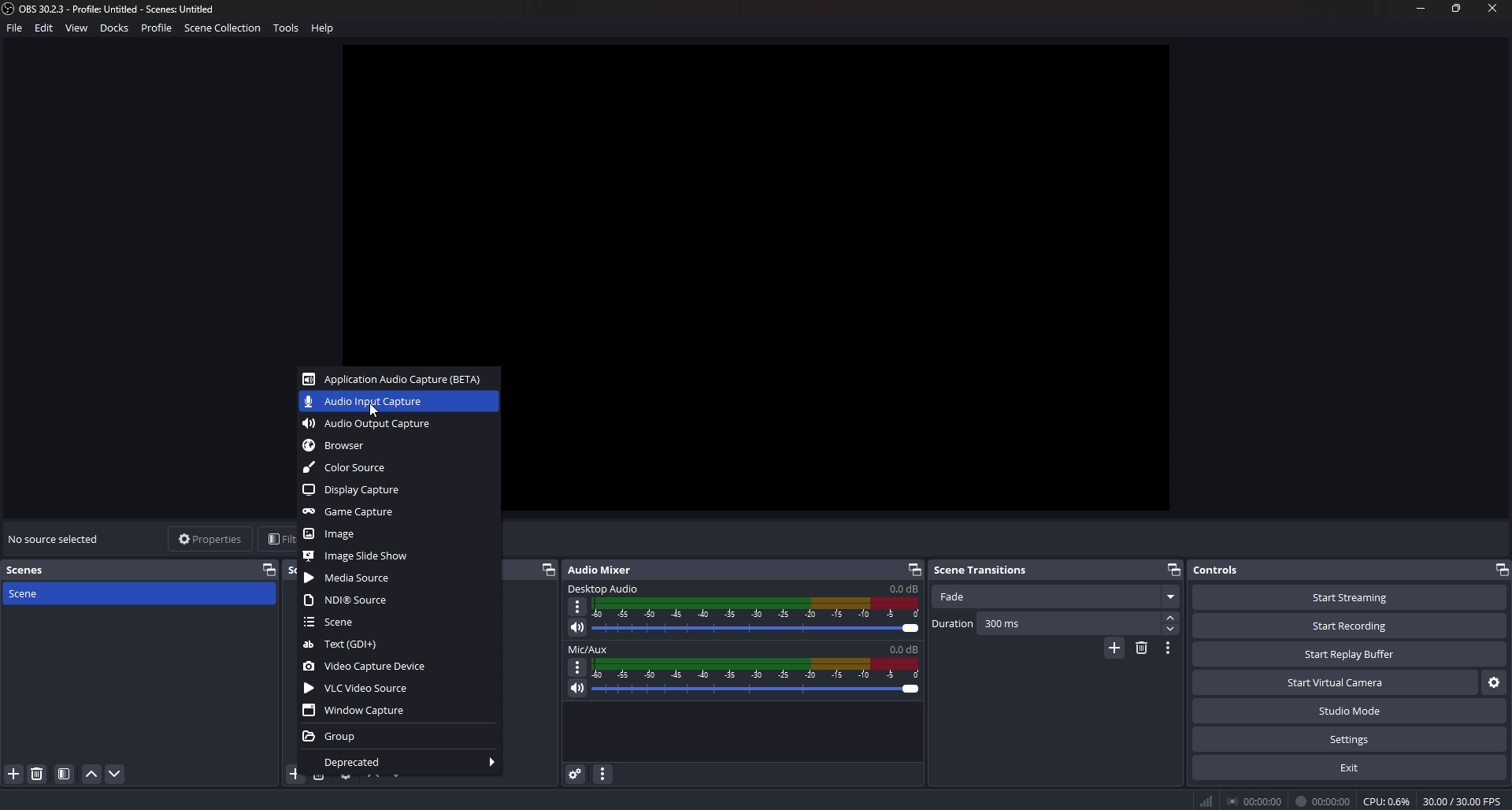 The height and width of the screenshot is (810, 1512). I want to click on increase duration, so click(1173, 616).